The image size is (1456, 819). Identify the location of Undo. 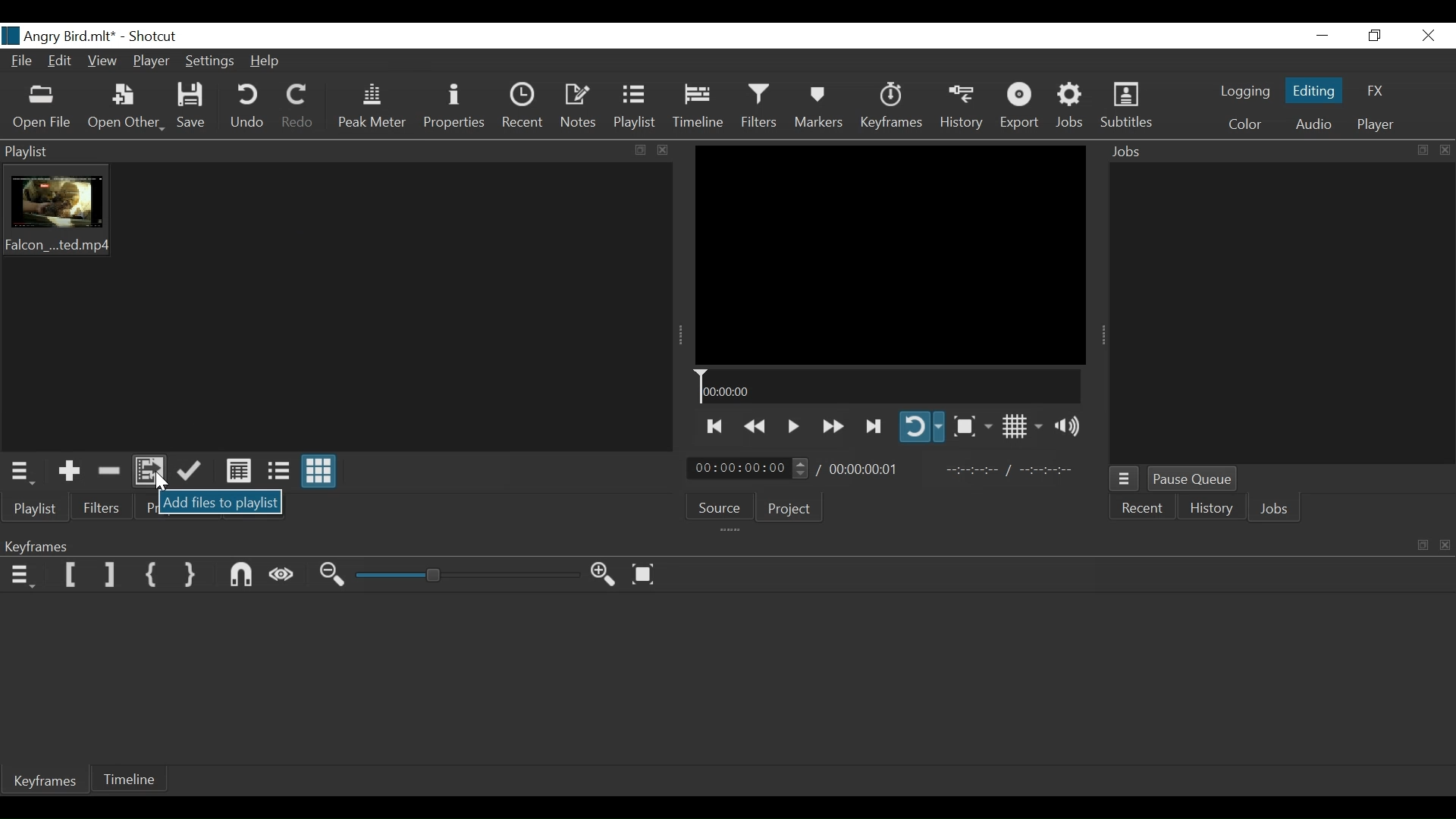
(248, 108).